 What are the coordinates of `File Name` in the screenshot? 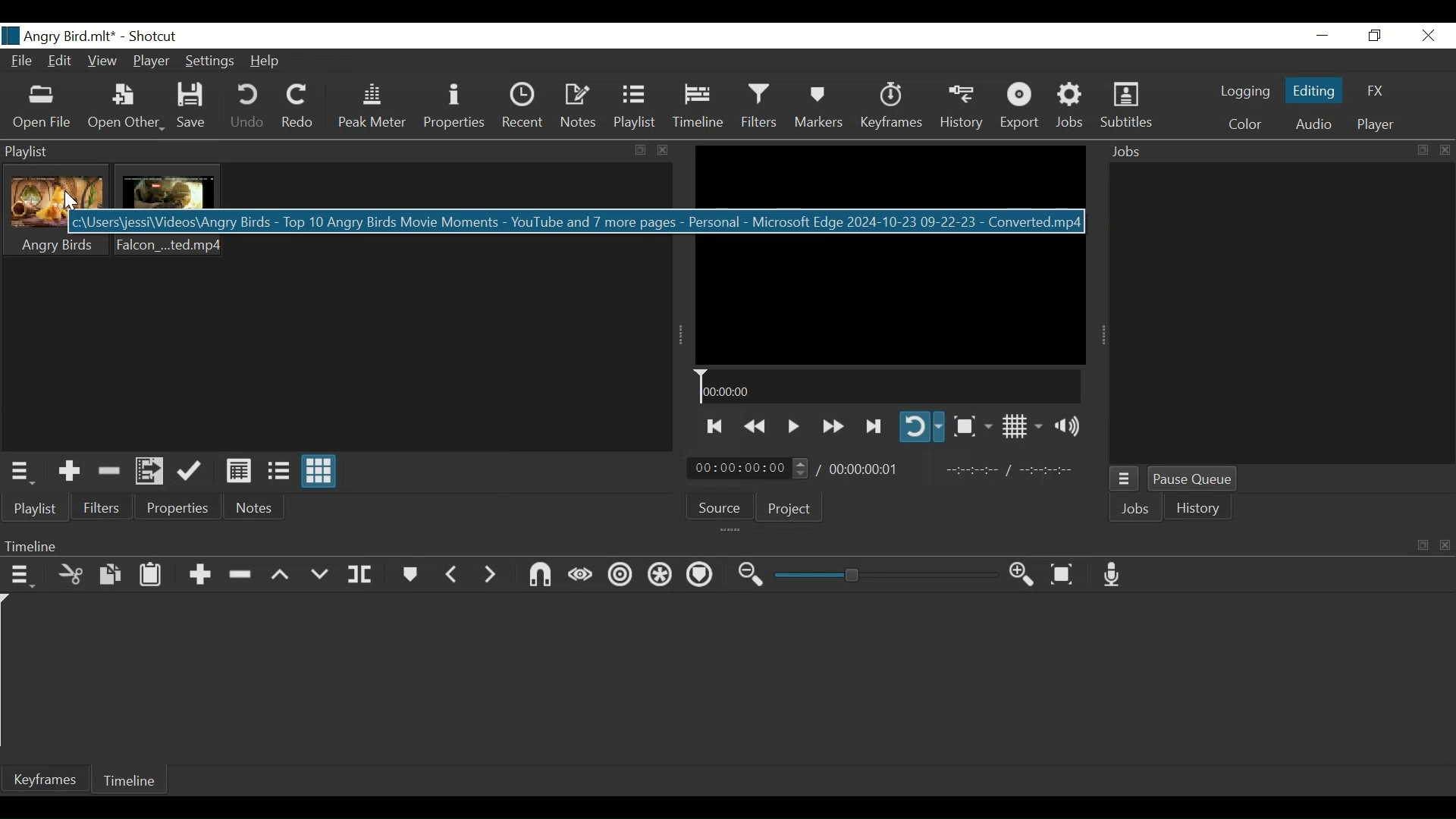 It's located at (60, 36).